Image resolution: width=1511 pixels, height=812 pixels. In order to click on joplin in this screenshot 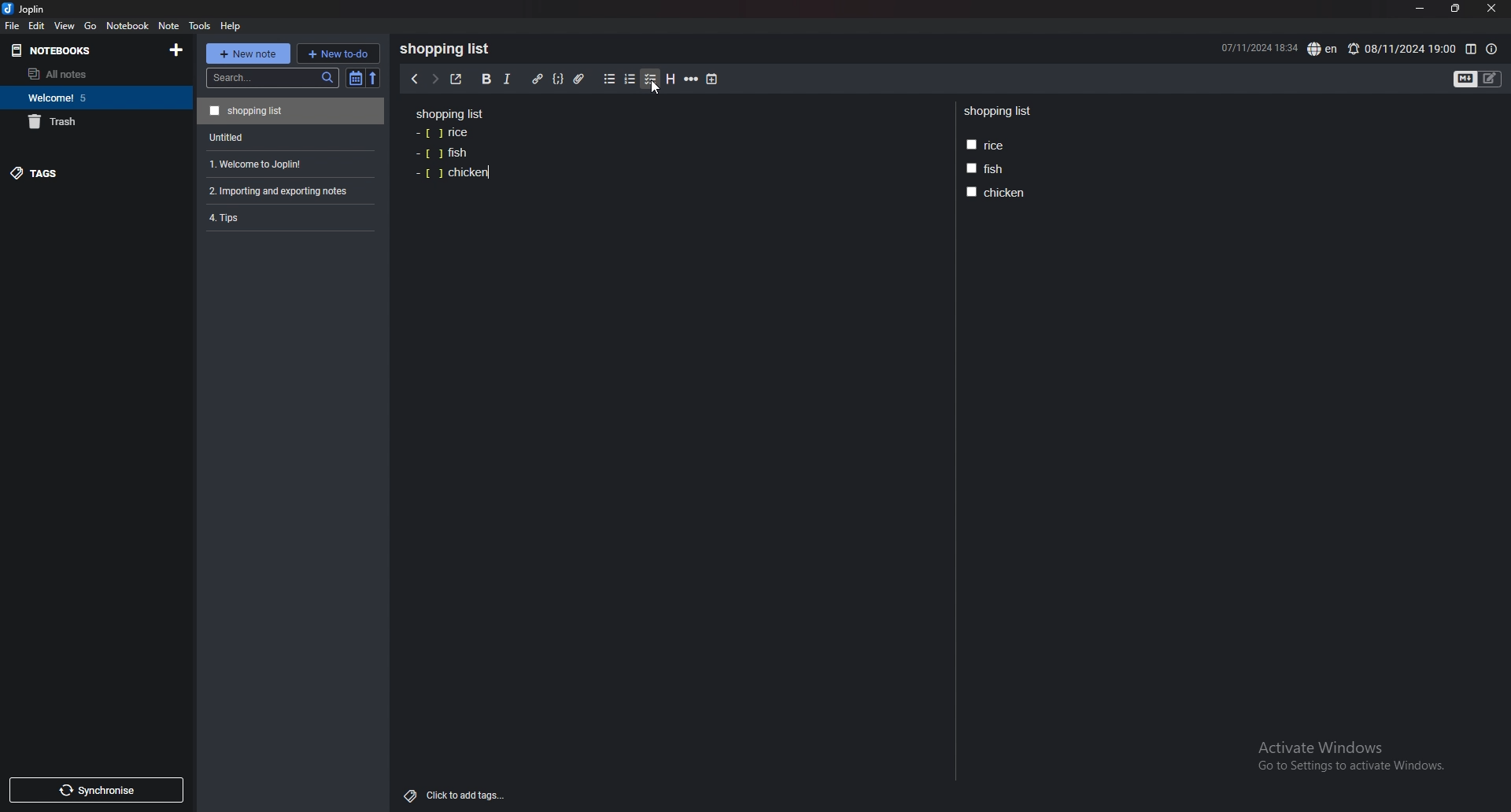, I will do `click(27, 9)`.